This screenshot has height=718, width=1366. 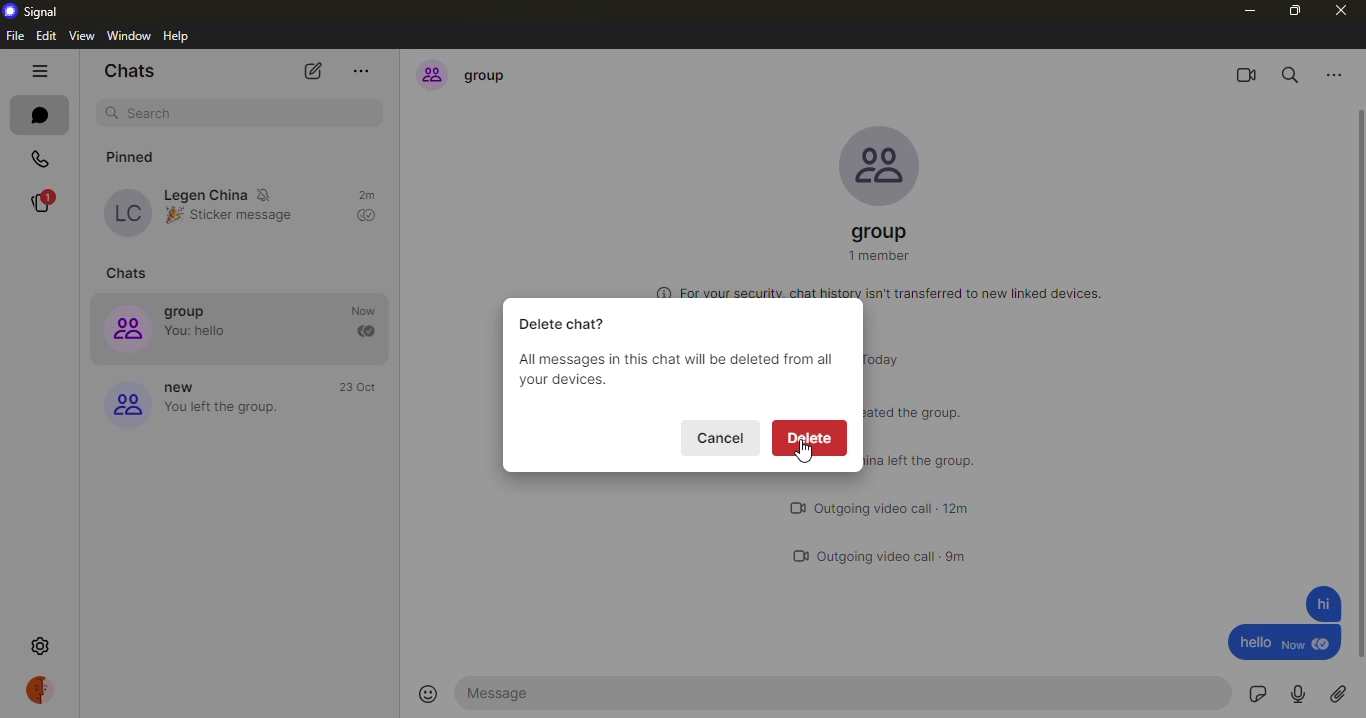 I want to click on file, so click(x=15, y=36).